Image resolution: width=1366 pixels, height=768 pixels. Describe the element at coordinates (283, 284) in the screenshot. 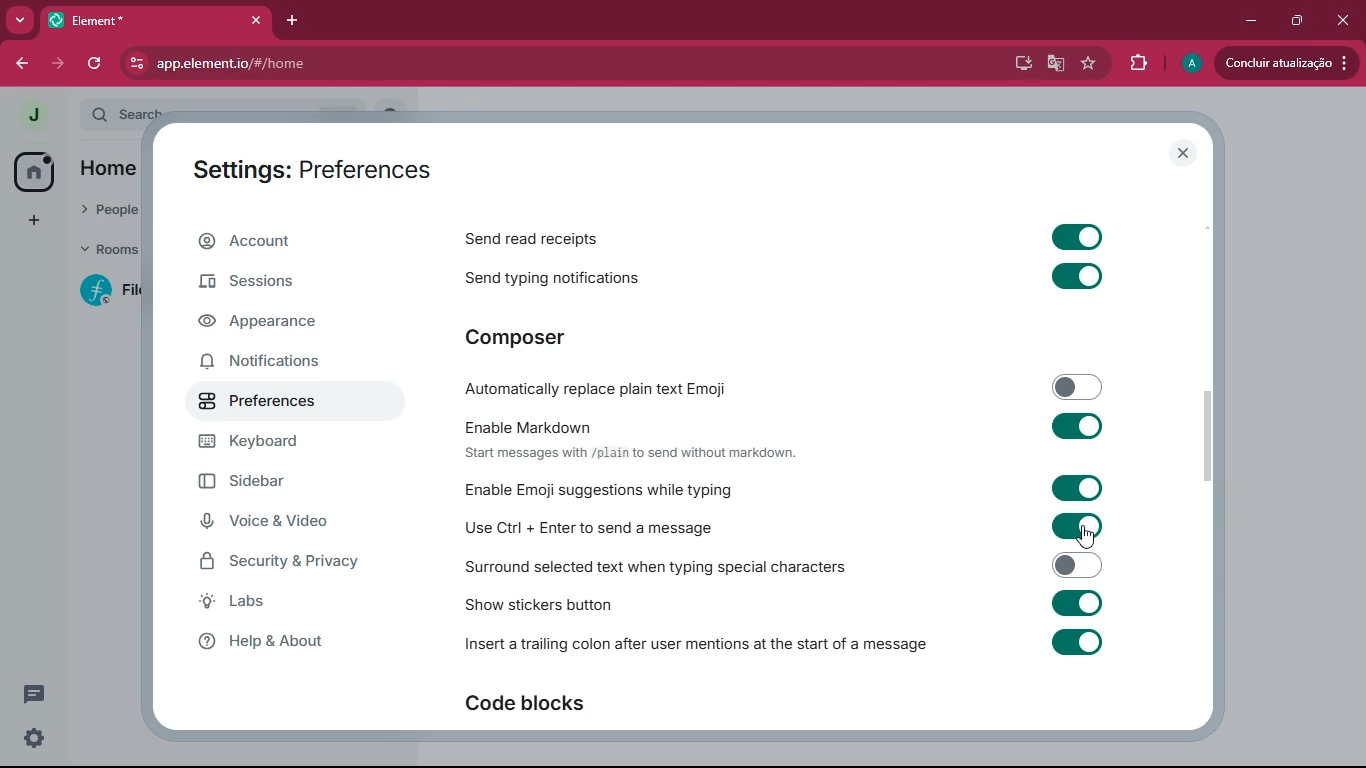

I see `sessions` at that location.